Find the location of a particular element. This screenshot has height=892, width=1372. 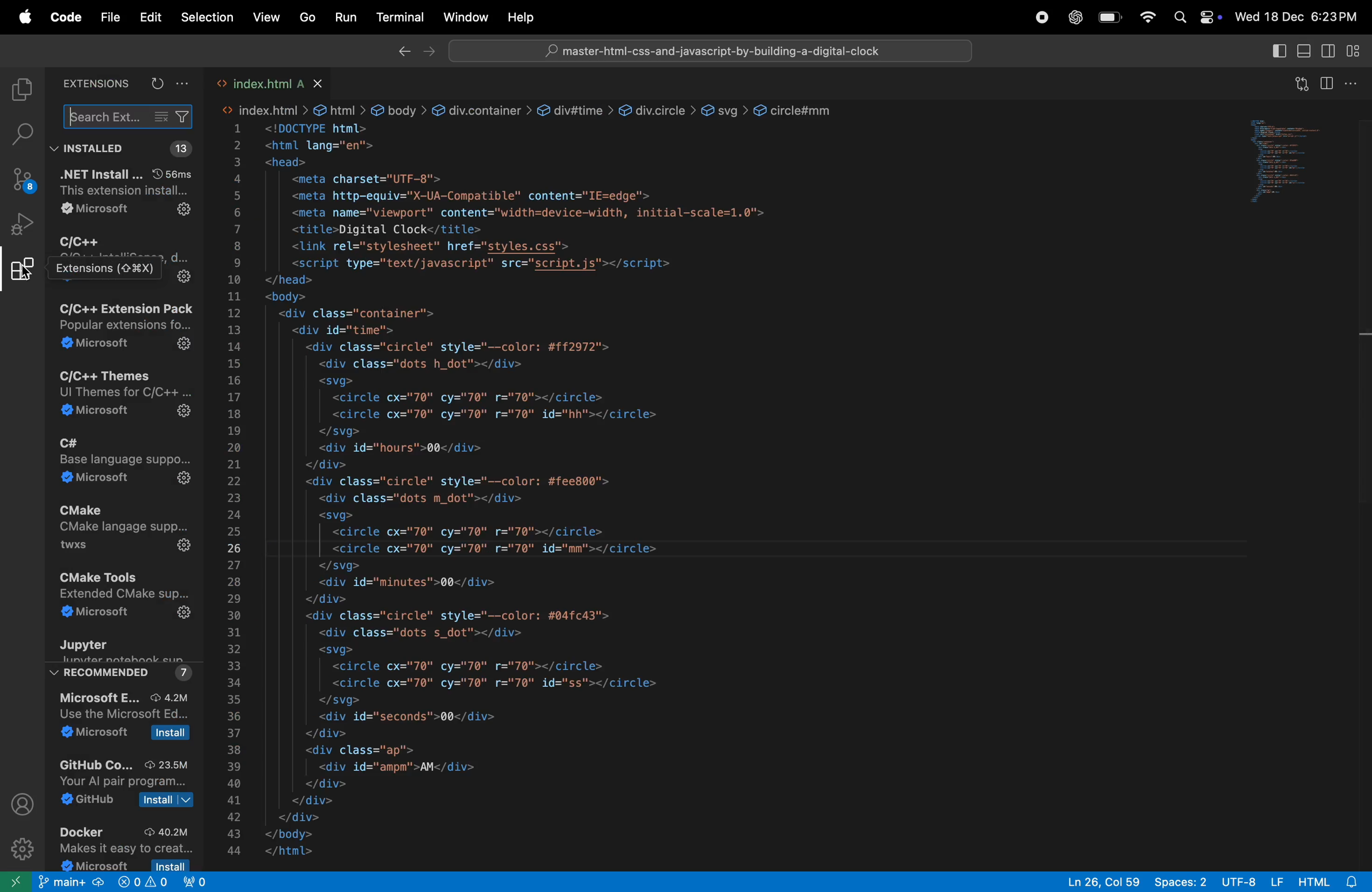

open changes is located at coordinates (1298, 84).